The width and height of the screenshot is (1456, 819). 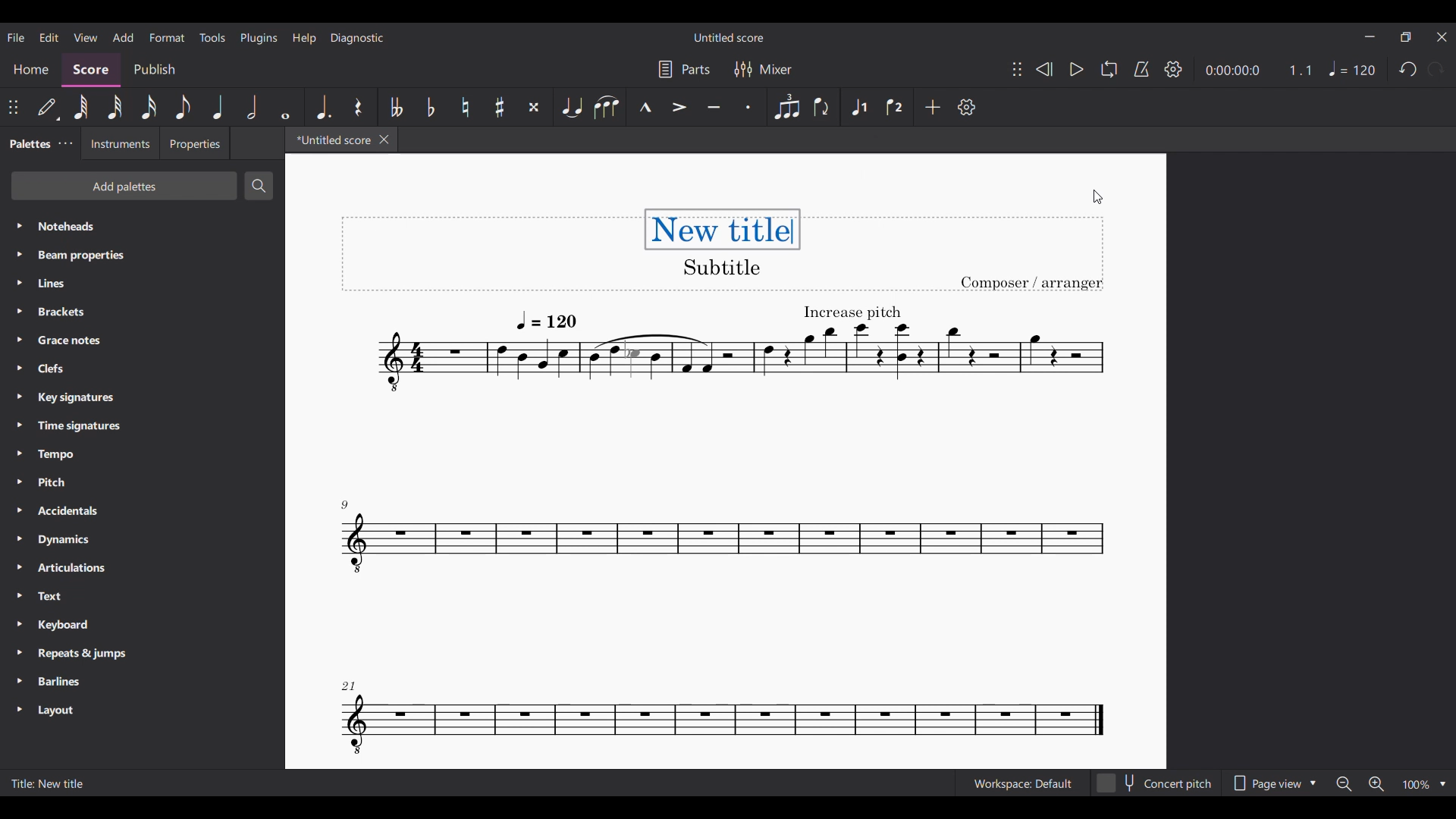 What do you see at coordinates (896, 107) in the screenshot?
I see `Voice 2` at bounding box center [896, 107].